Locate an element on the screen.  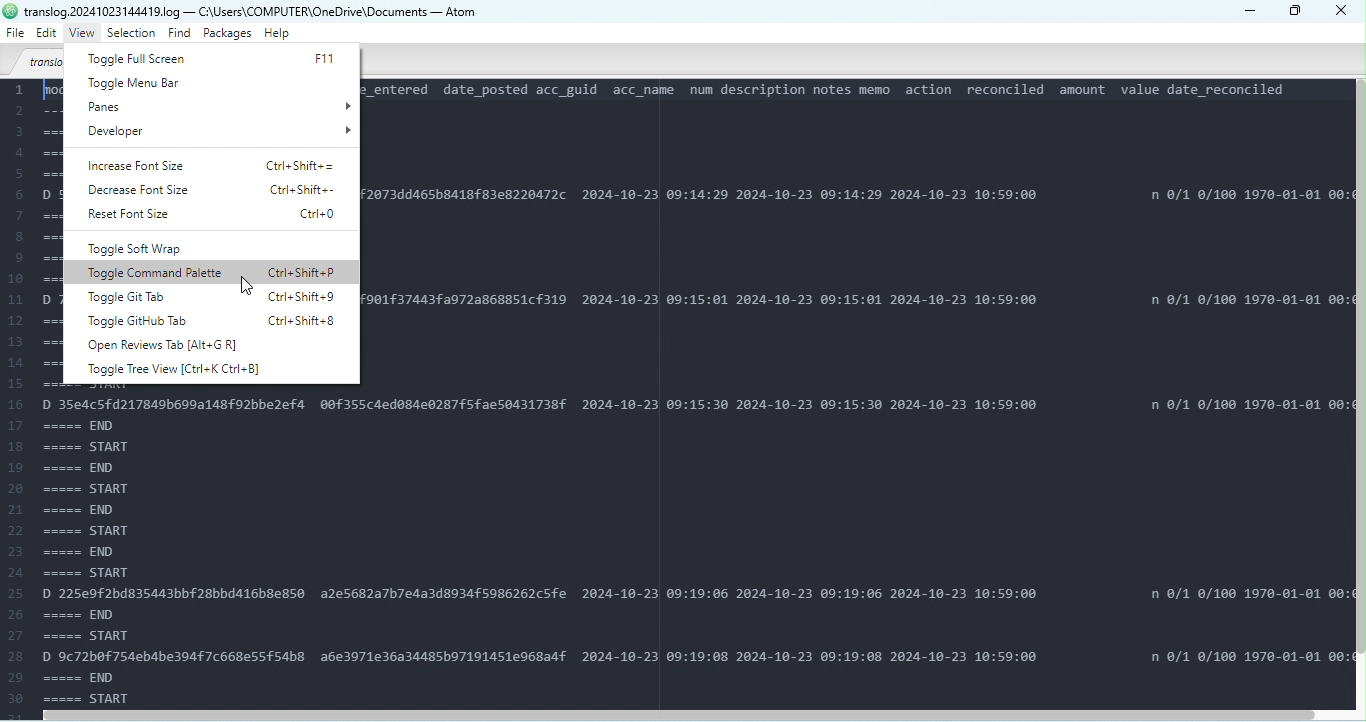
Find is located at coordinates (181, 35).